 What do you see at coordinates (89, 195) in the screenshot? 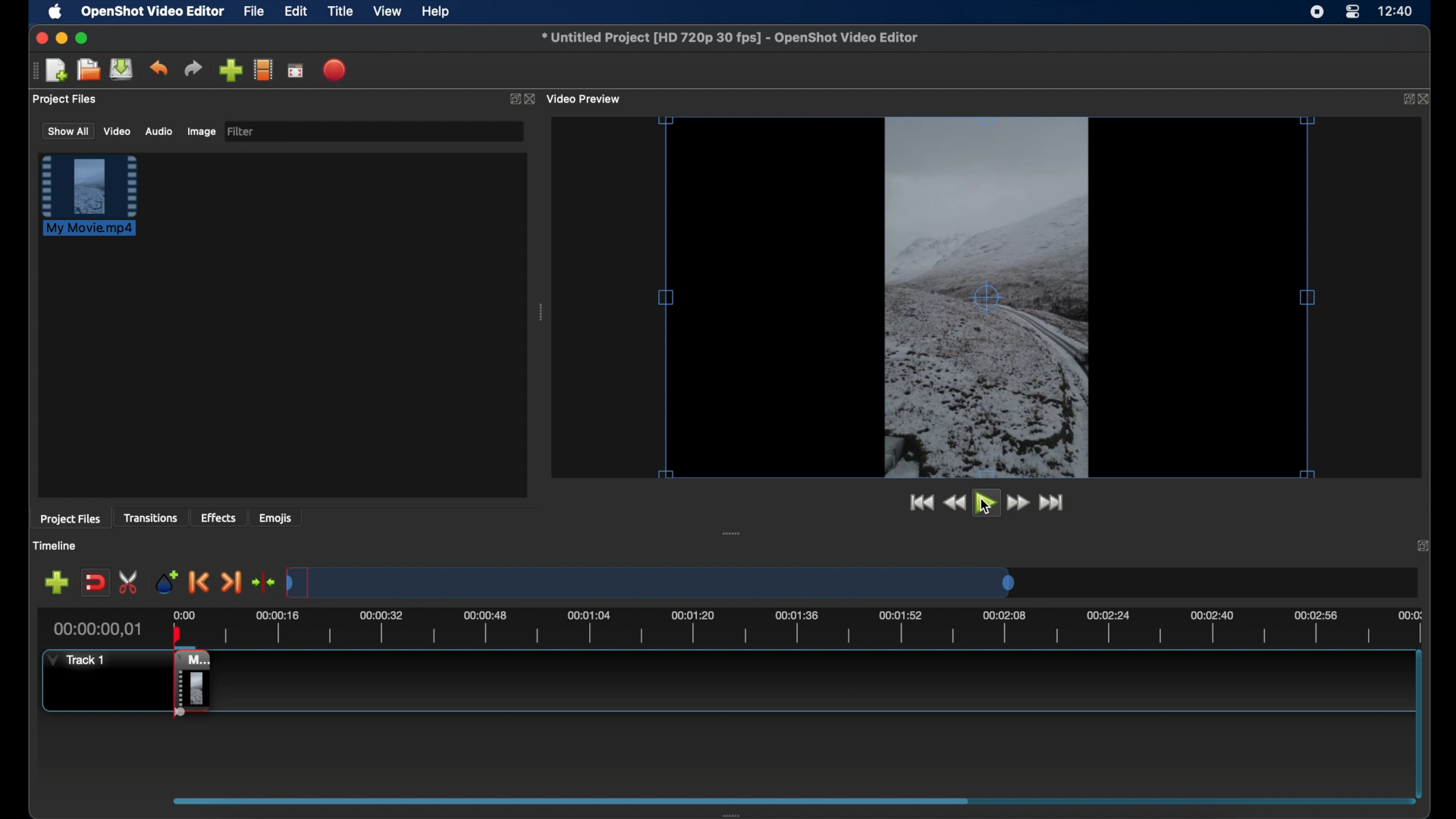
I see `file highlighted` at bounding box center [89, 195].